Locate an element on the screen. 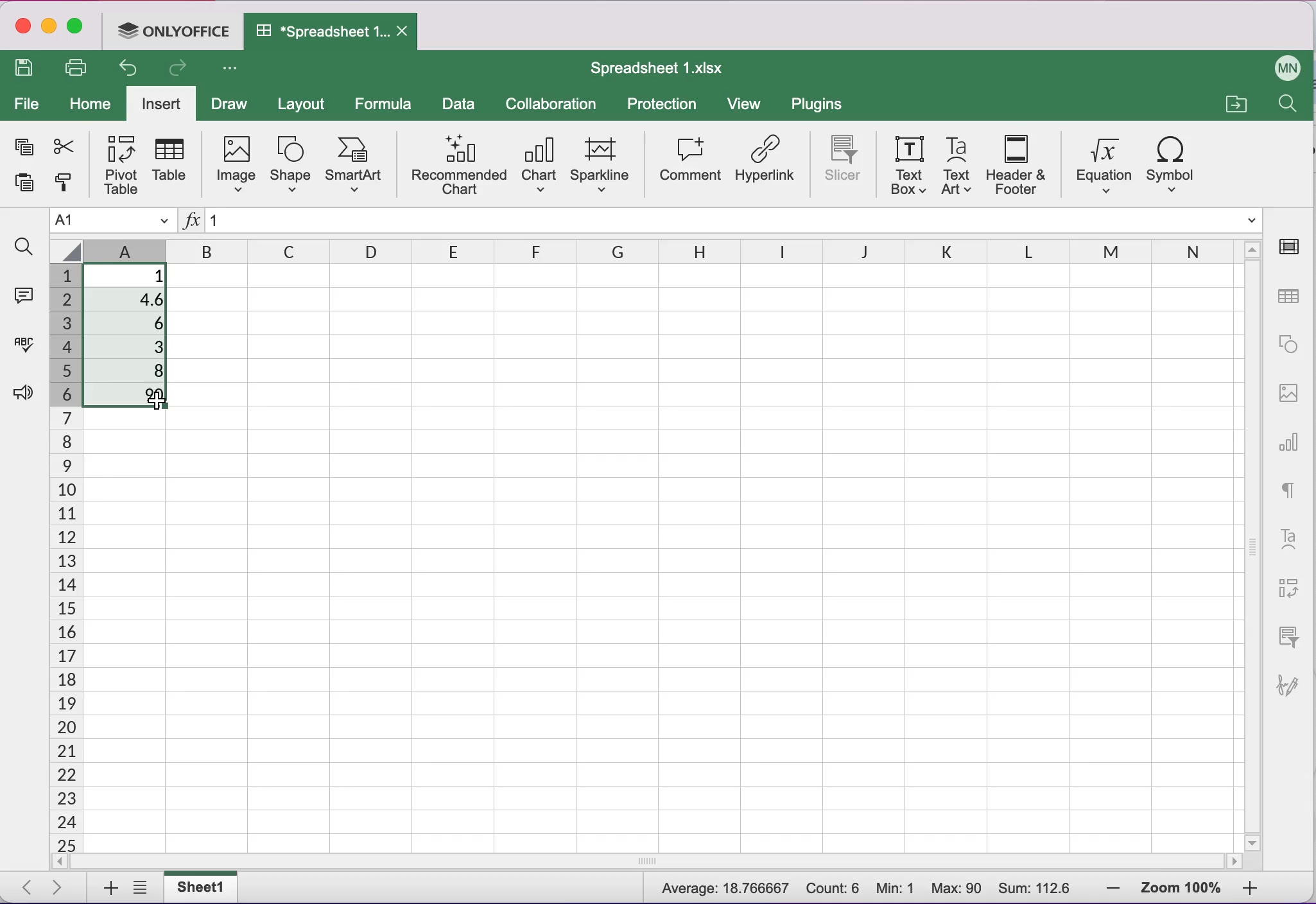 The image size is (1316, 904). layout is located at coordinates (307, 103).